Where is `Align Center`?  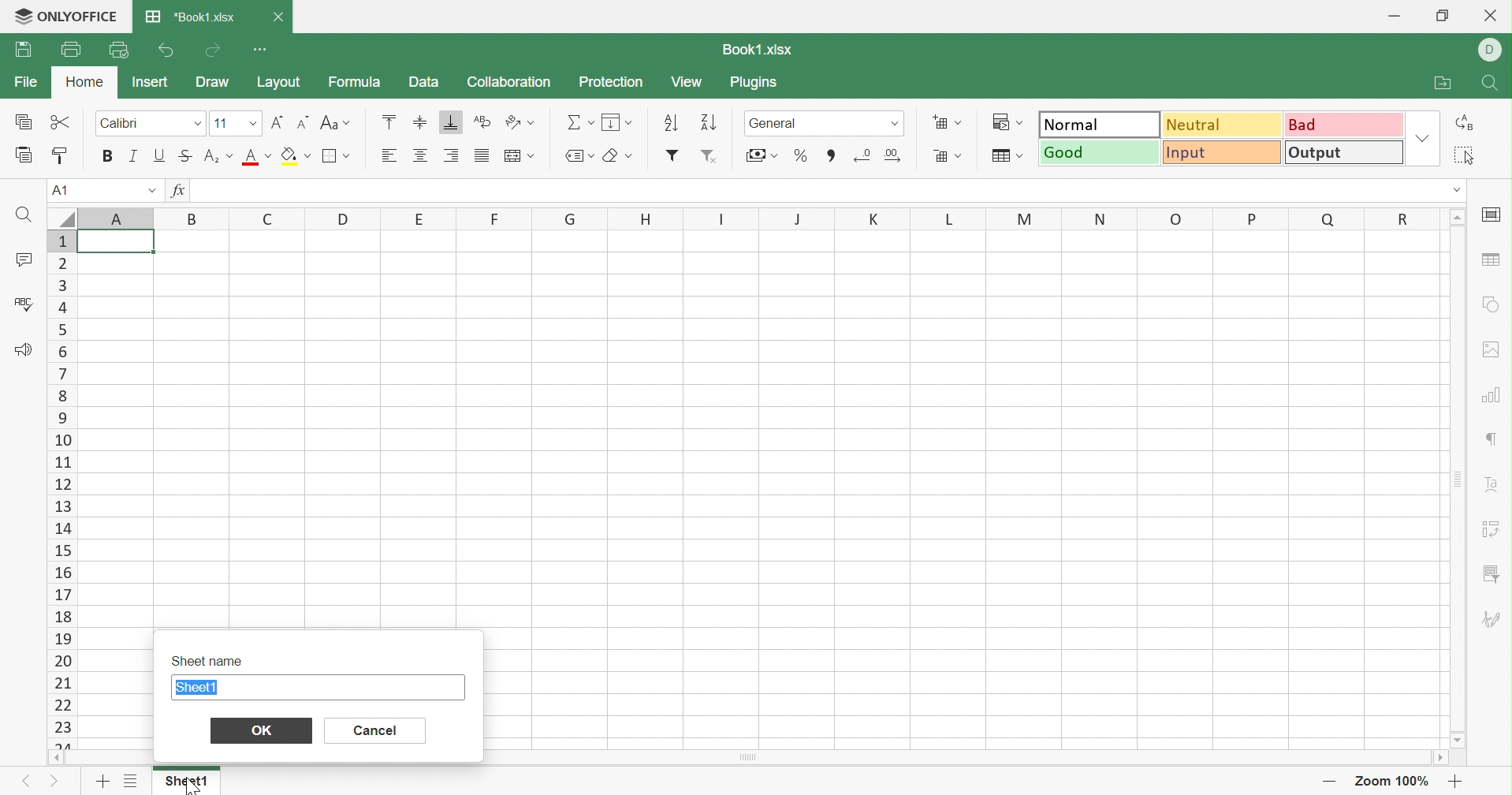 Align Center is located at coordinates (423, 155).